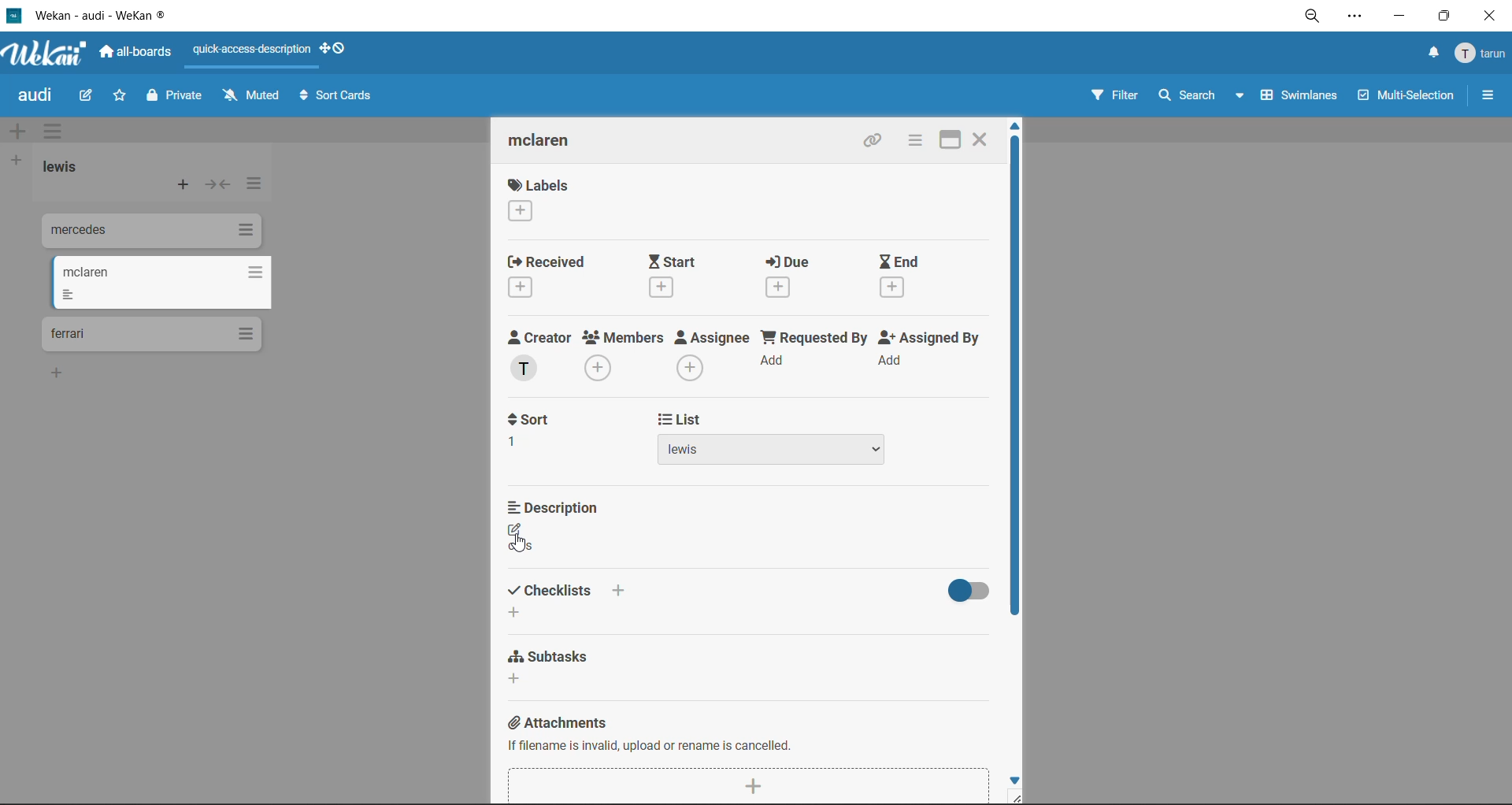 Image resolution: width=1512 pixels, height=805 pixels. Describe the element at coordinates (177, 98) in the screenshot. I see `private` at that location.